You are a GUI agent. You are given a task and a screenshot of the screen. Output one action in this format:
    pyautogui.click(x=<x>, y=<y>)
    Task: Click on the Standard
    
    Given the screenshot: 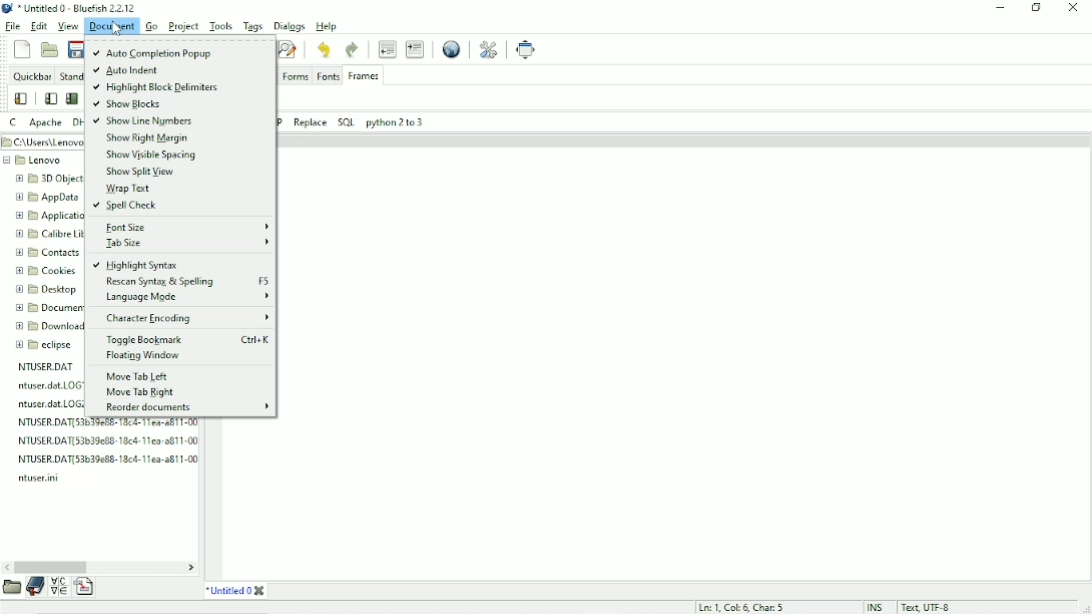 What is the action you would take?
    pyautogui.click(x=72, y=78)
    